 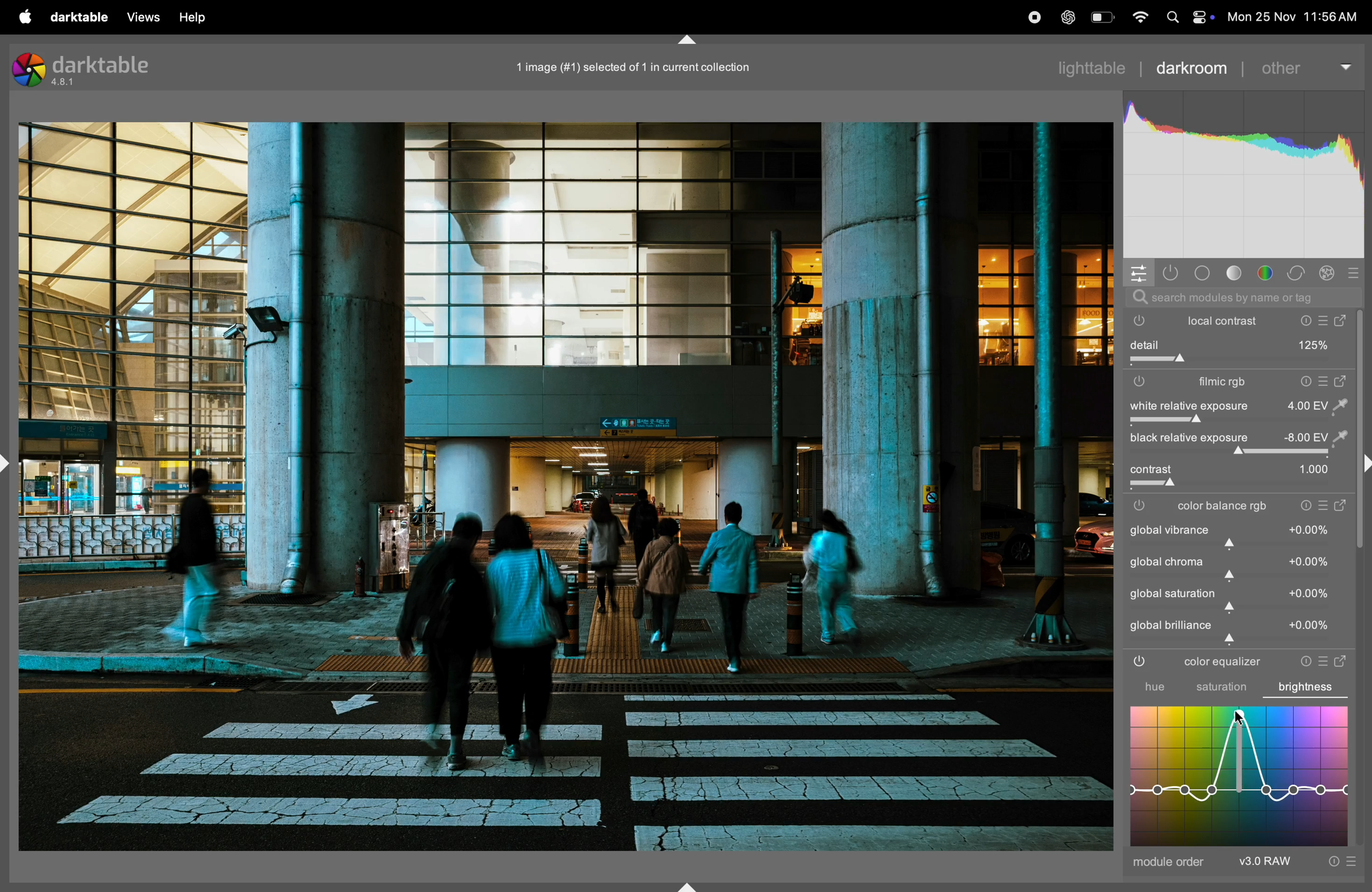 What do you see at coordinates (1317, 405) in the screenshot?
I see `value` at bounding box center [1317, 405].